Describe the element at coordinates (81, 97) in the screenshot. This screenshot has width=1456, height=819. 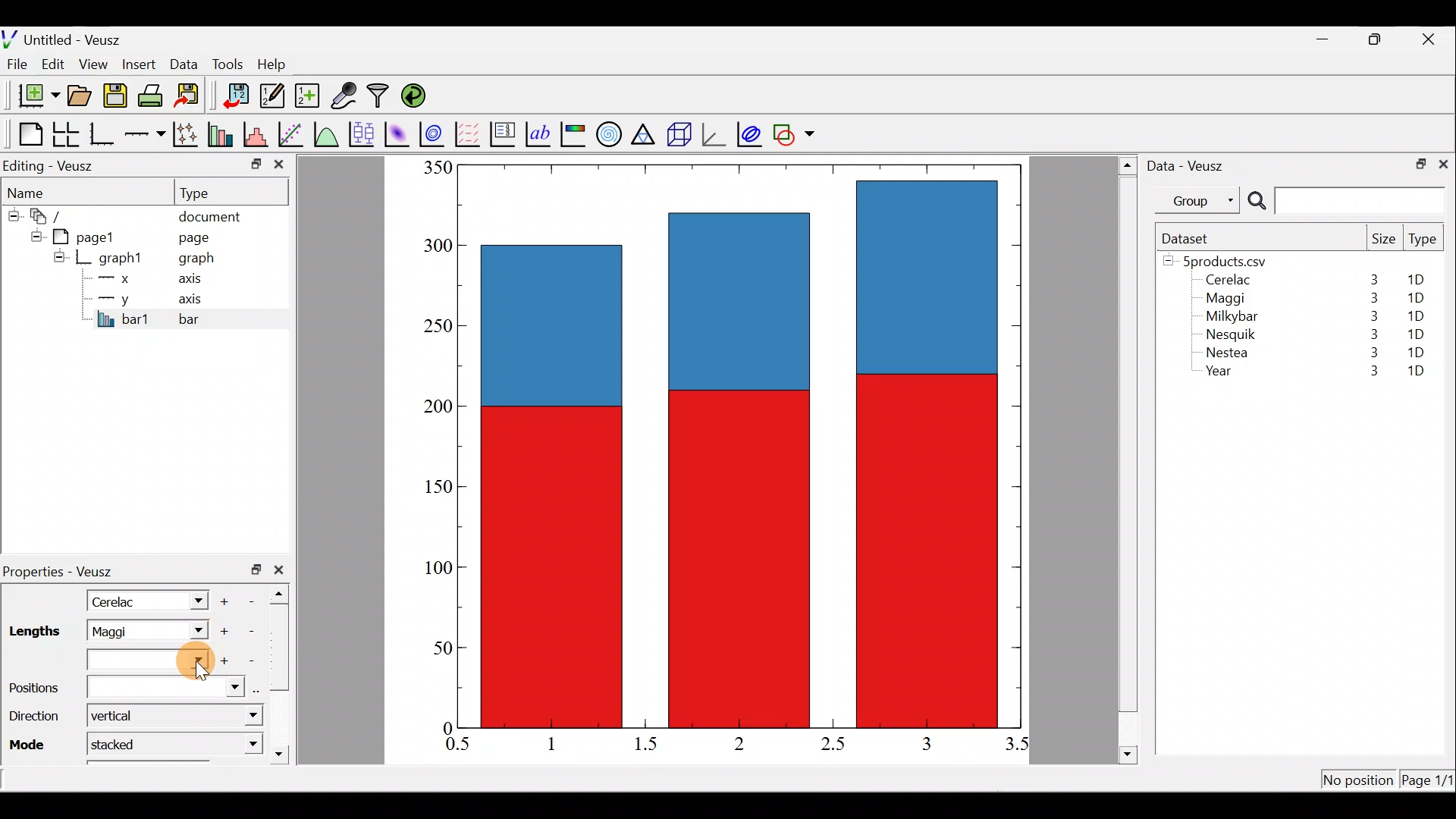
I see `Open a document` at that location.